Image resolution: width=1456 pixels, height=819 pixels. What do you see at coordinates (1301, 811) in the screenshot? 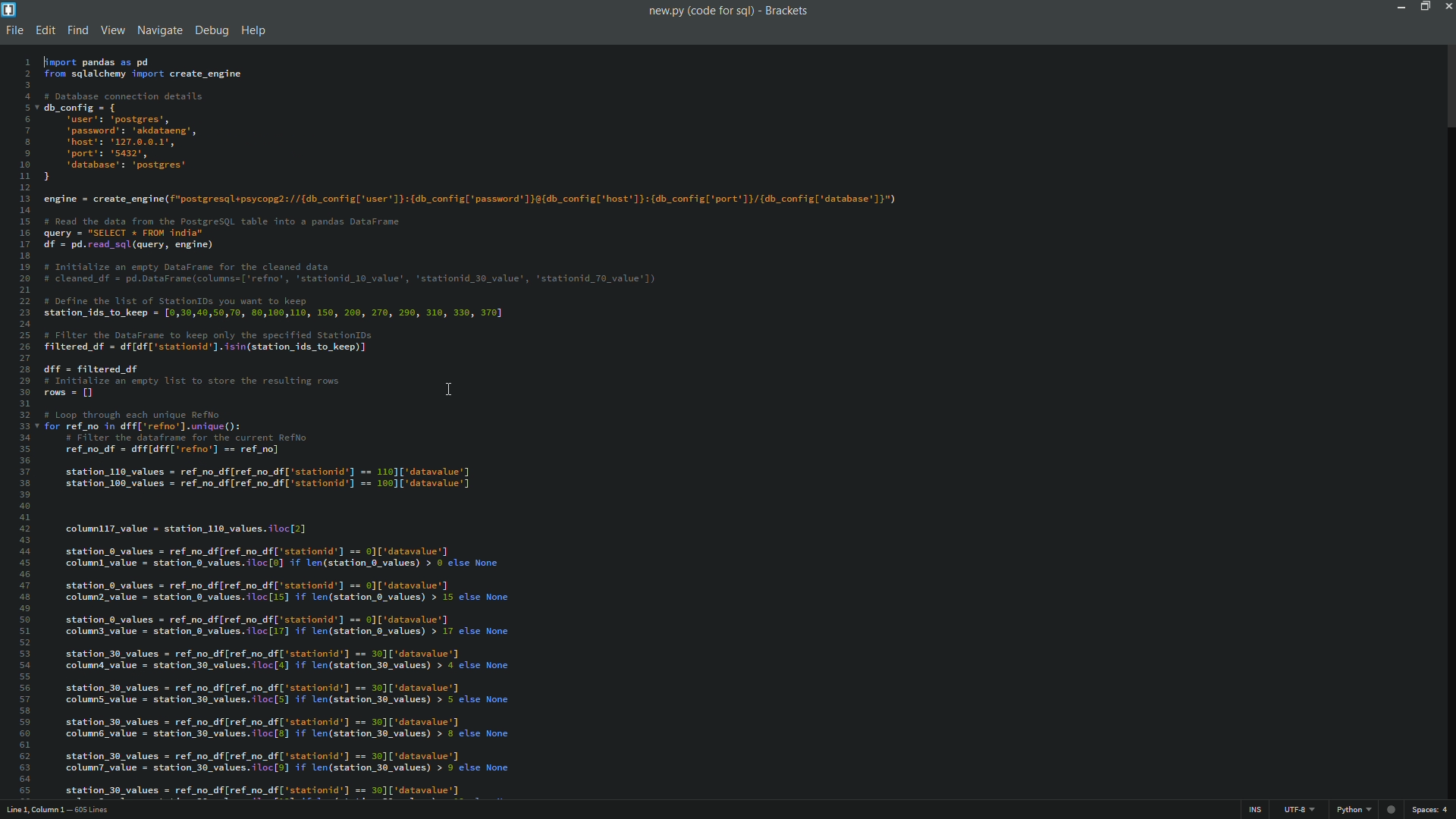
I see `file encoding` at bounding box center [1301, 811].